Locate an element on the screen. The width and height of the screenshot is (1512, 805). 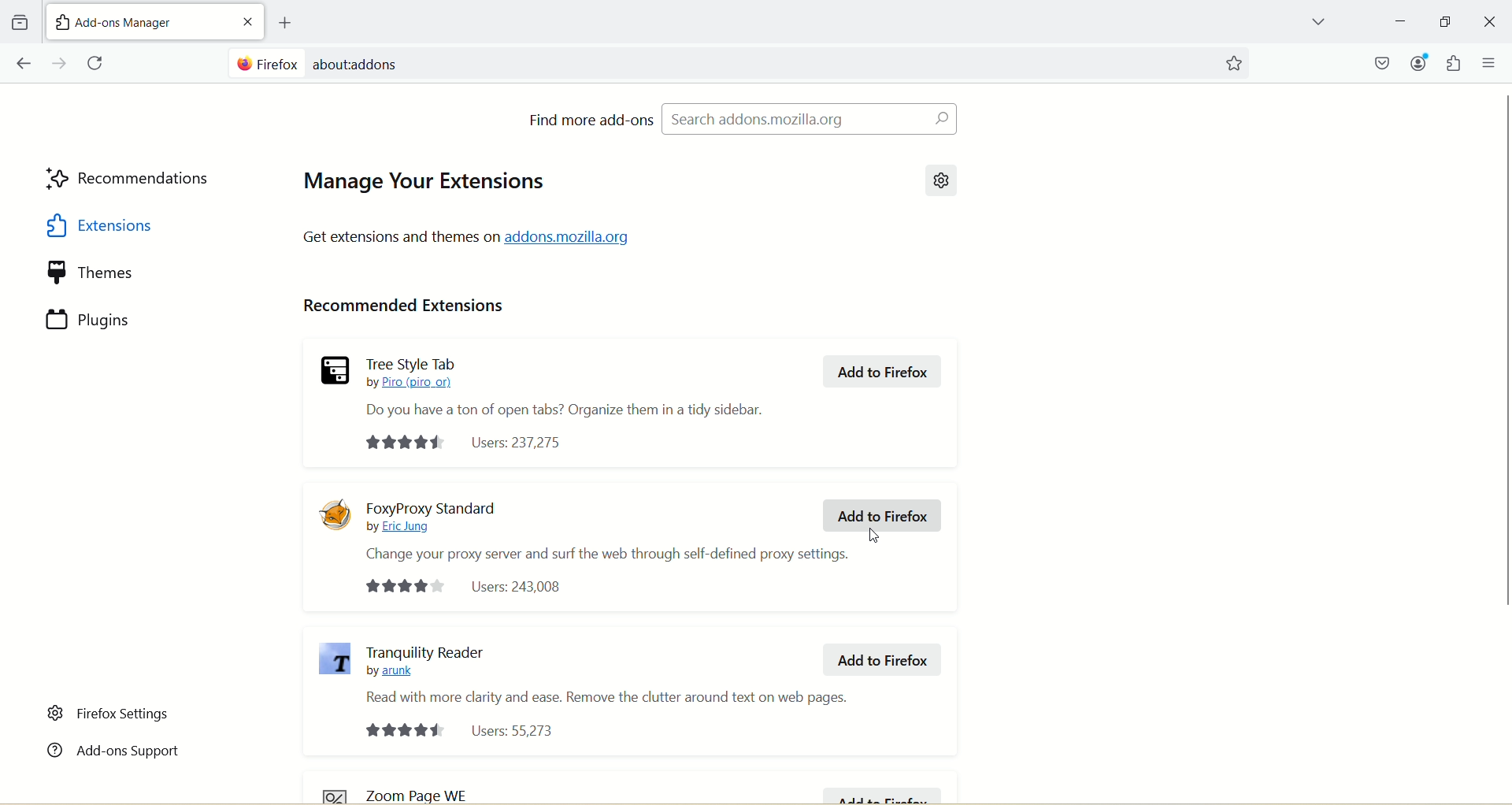
Macsafe is located at coordinates (1384, 62).